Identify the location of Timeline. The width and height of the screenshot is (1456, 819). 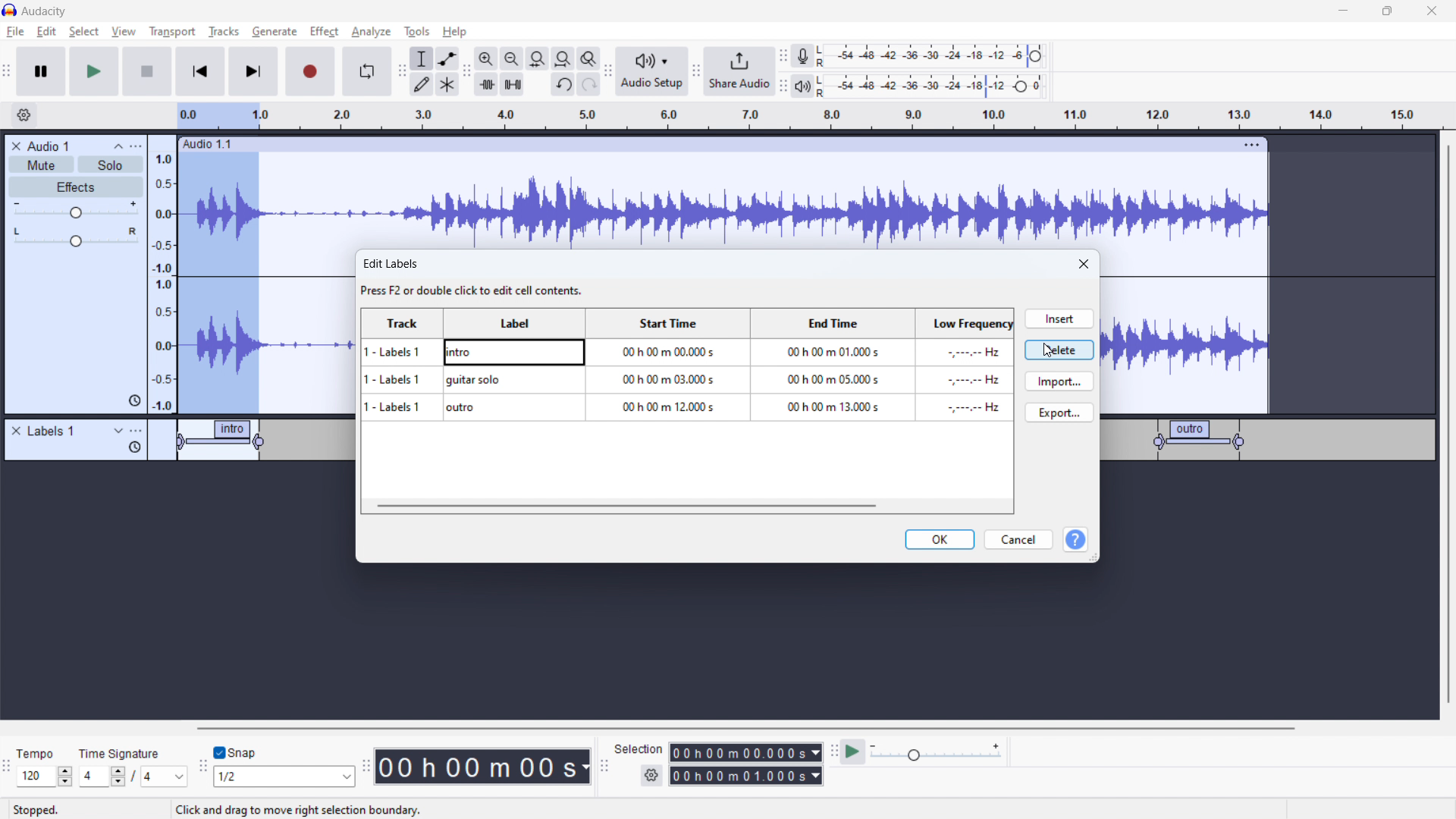
(1267, 512).